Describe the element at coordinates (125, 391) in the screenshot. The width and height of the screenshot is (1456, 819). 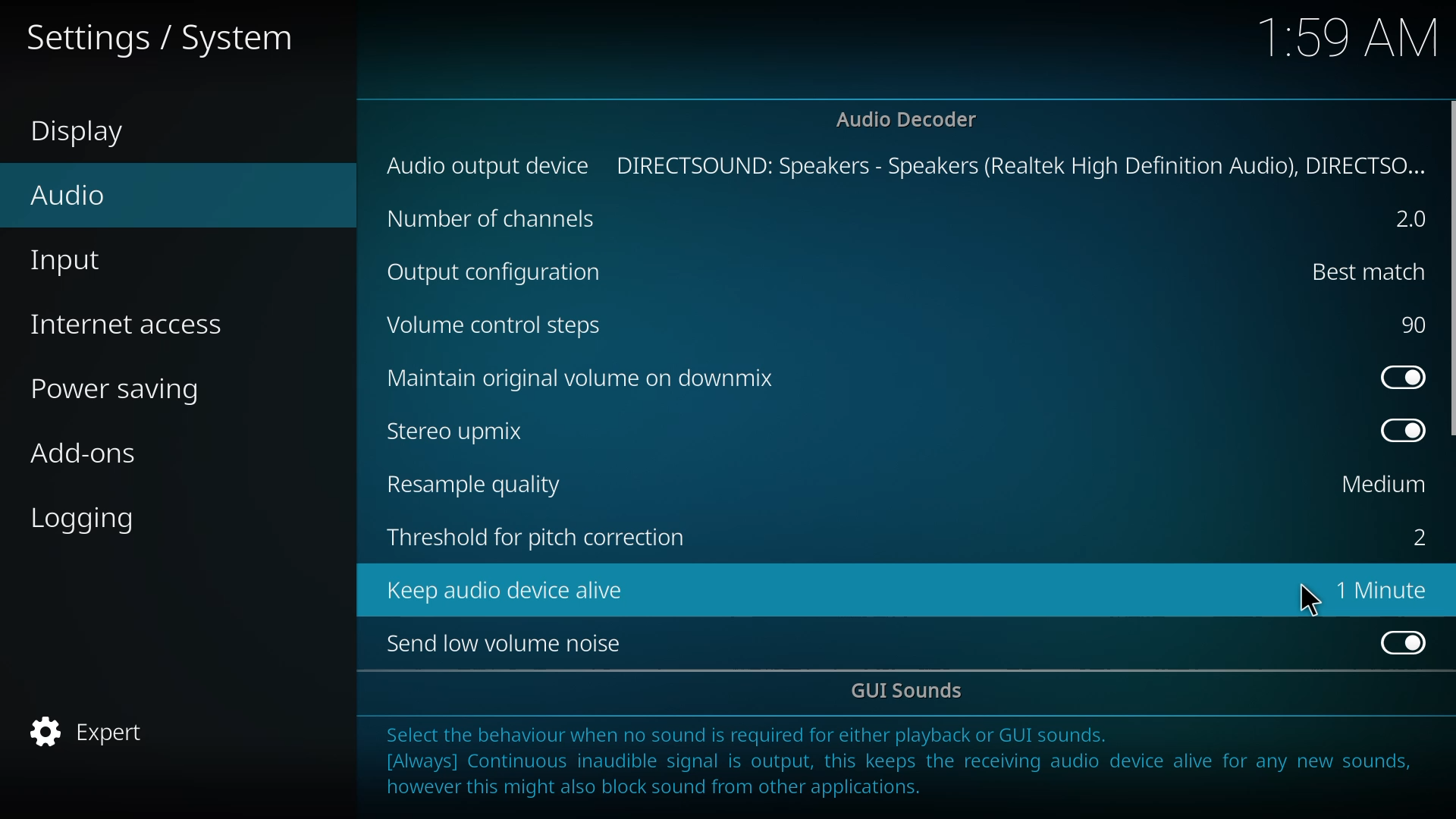
I see `power saving` at that location.